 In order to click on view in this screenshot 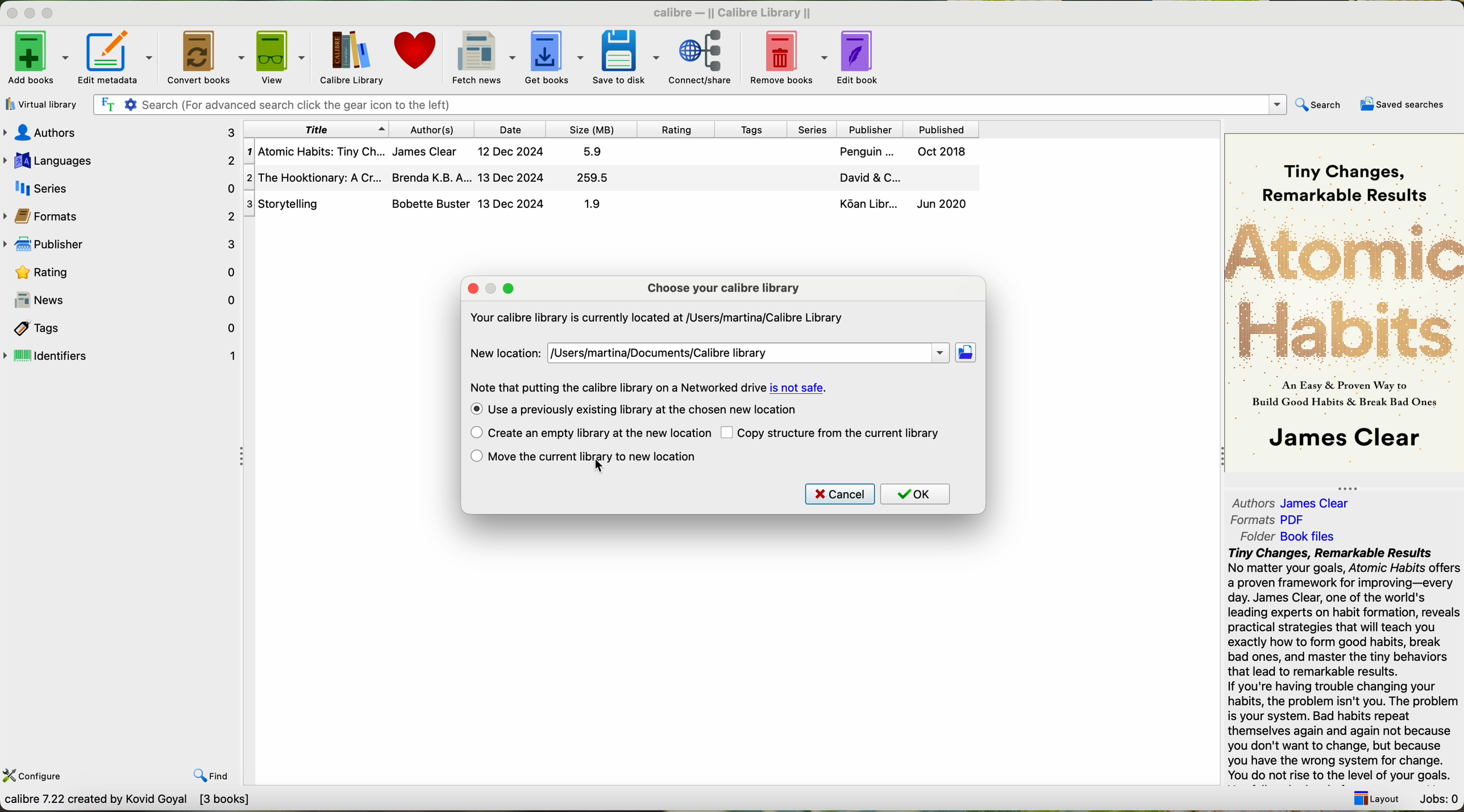, I will do `click(284, 57)`.